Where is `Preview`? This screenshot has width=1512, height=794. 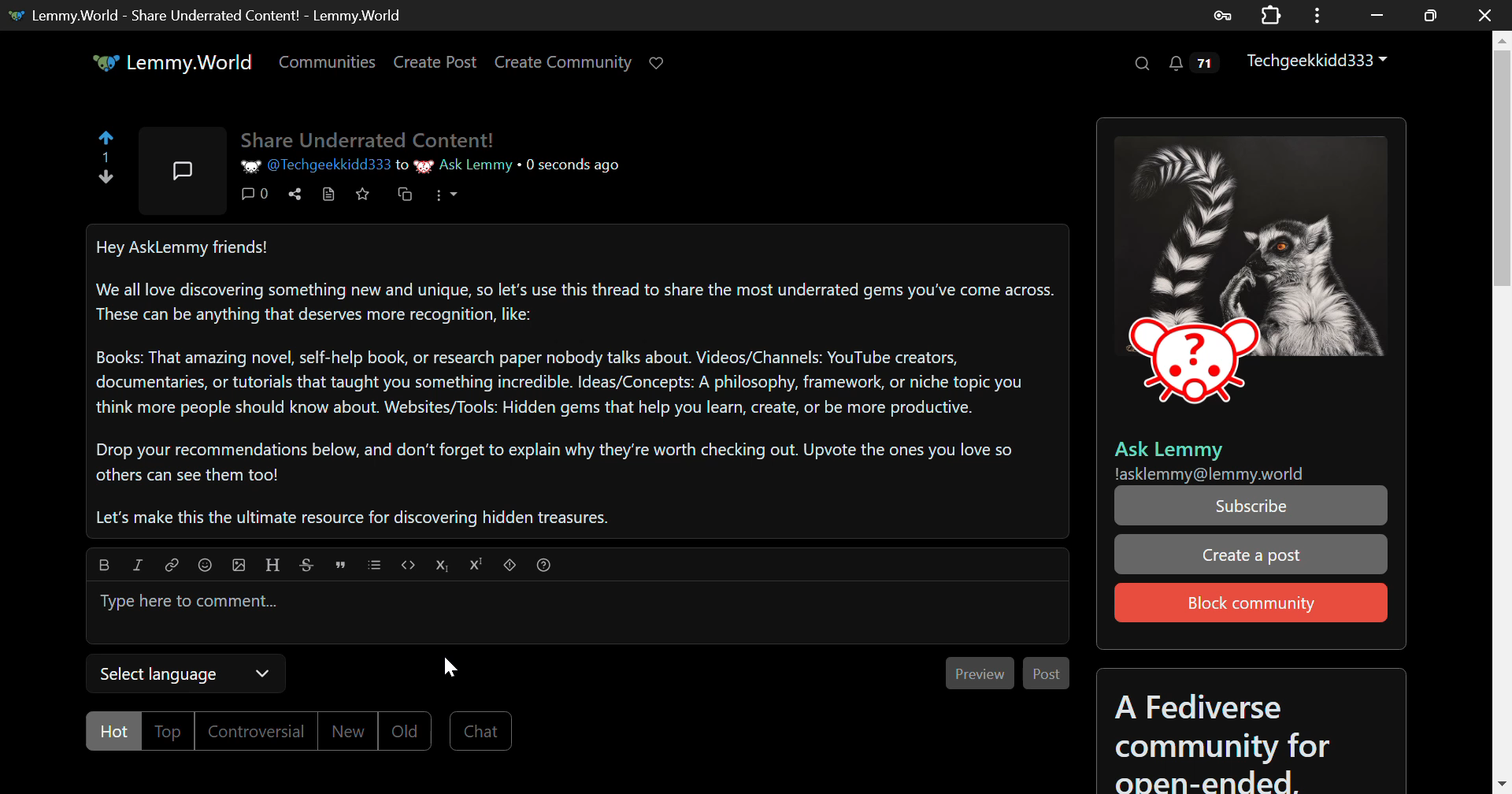
Preview is located at coordinates (979, 672).